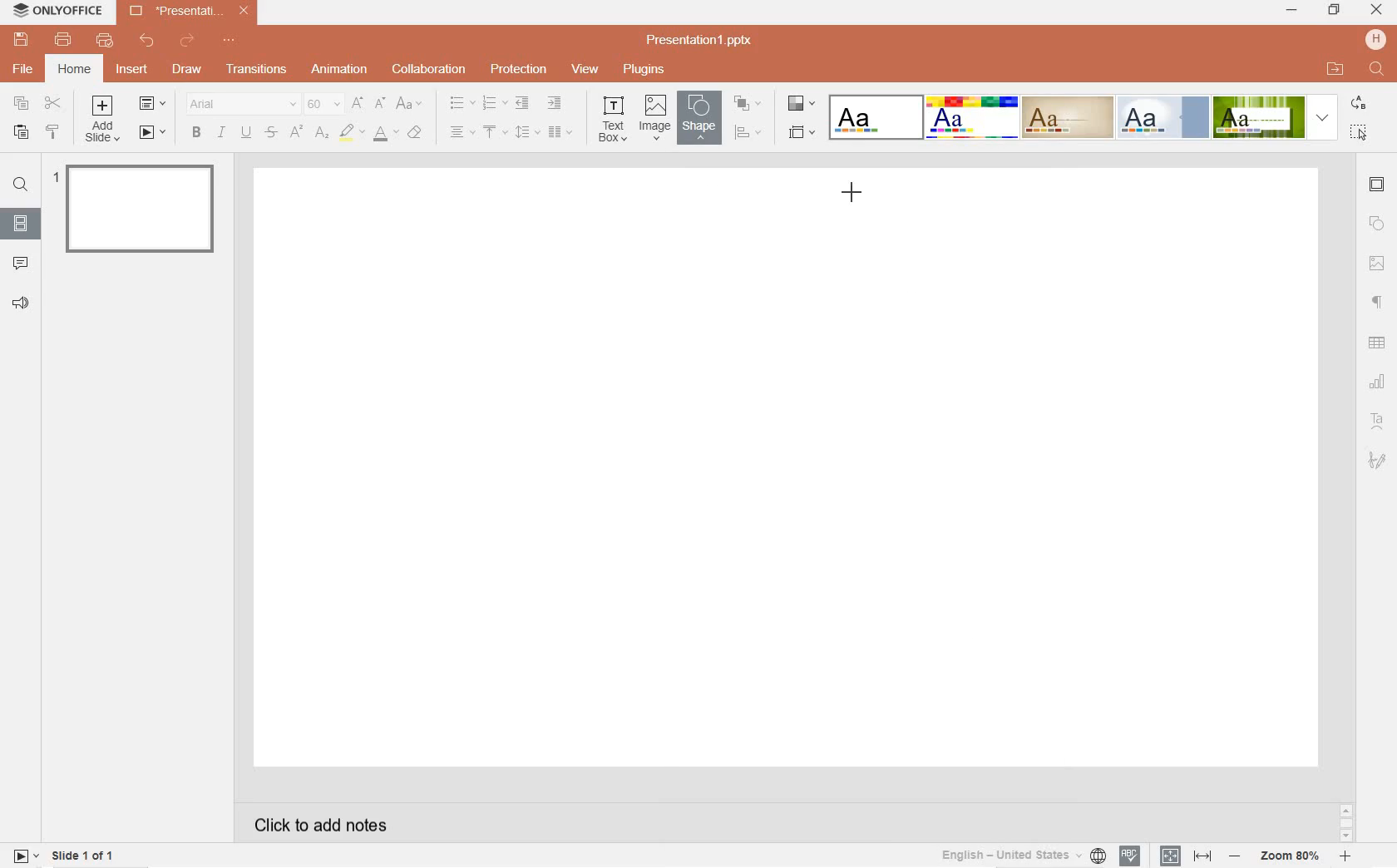 This screenshot has height=868, width=1397. Describe the element at coordinates (643, 69) in the screenshot. I see `plugins` at that location.